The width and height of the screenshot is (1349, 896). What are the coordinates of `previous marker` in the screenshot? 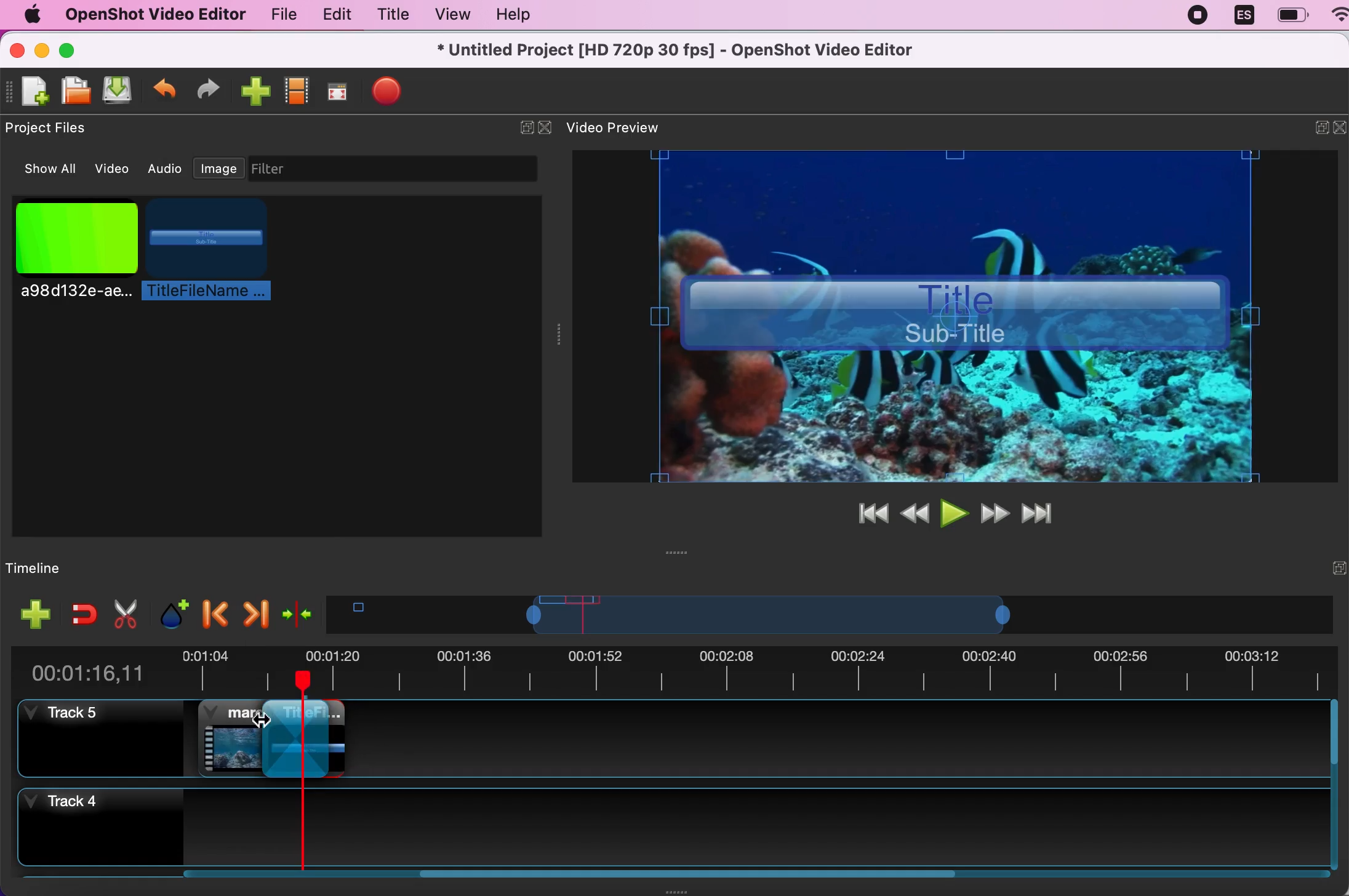 It's located at (212, 612).